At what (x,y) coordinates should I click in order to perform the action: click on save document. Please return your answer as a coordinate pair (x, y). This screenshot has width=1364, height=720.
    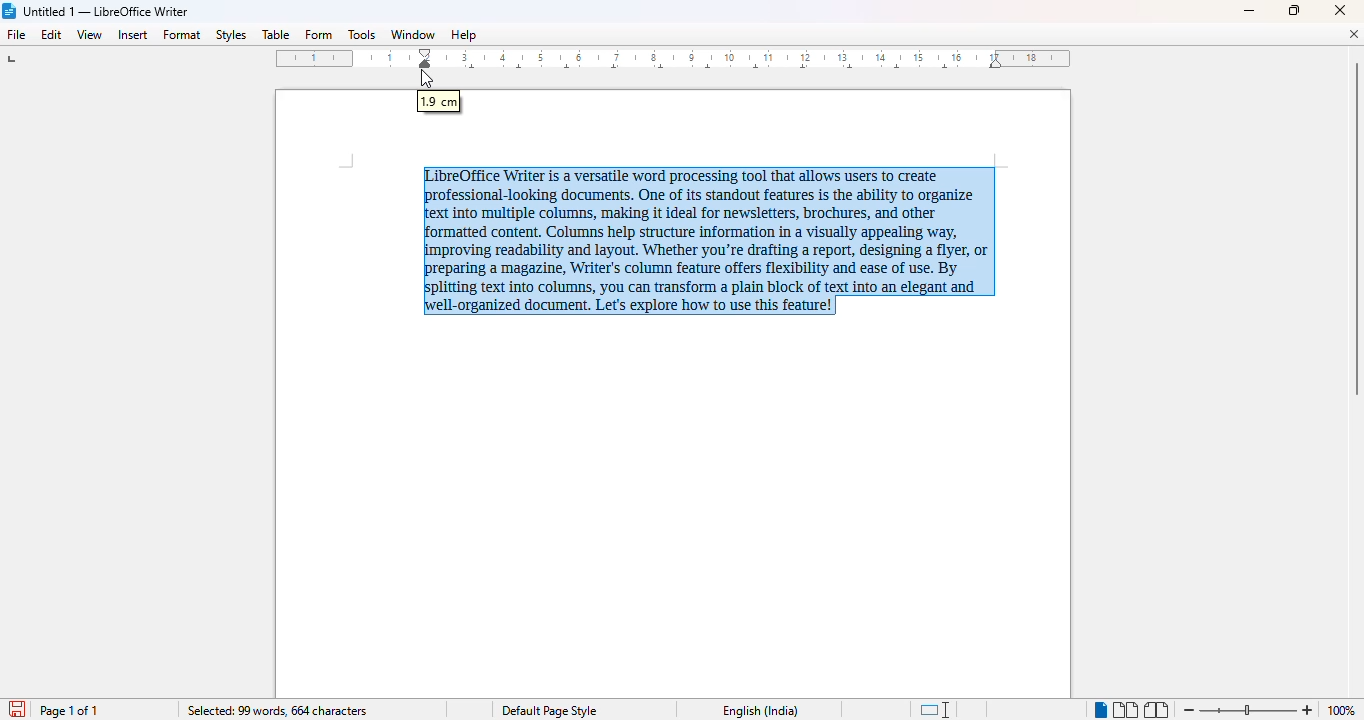
    Looking at the image, I should click on (17, 708).